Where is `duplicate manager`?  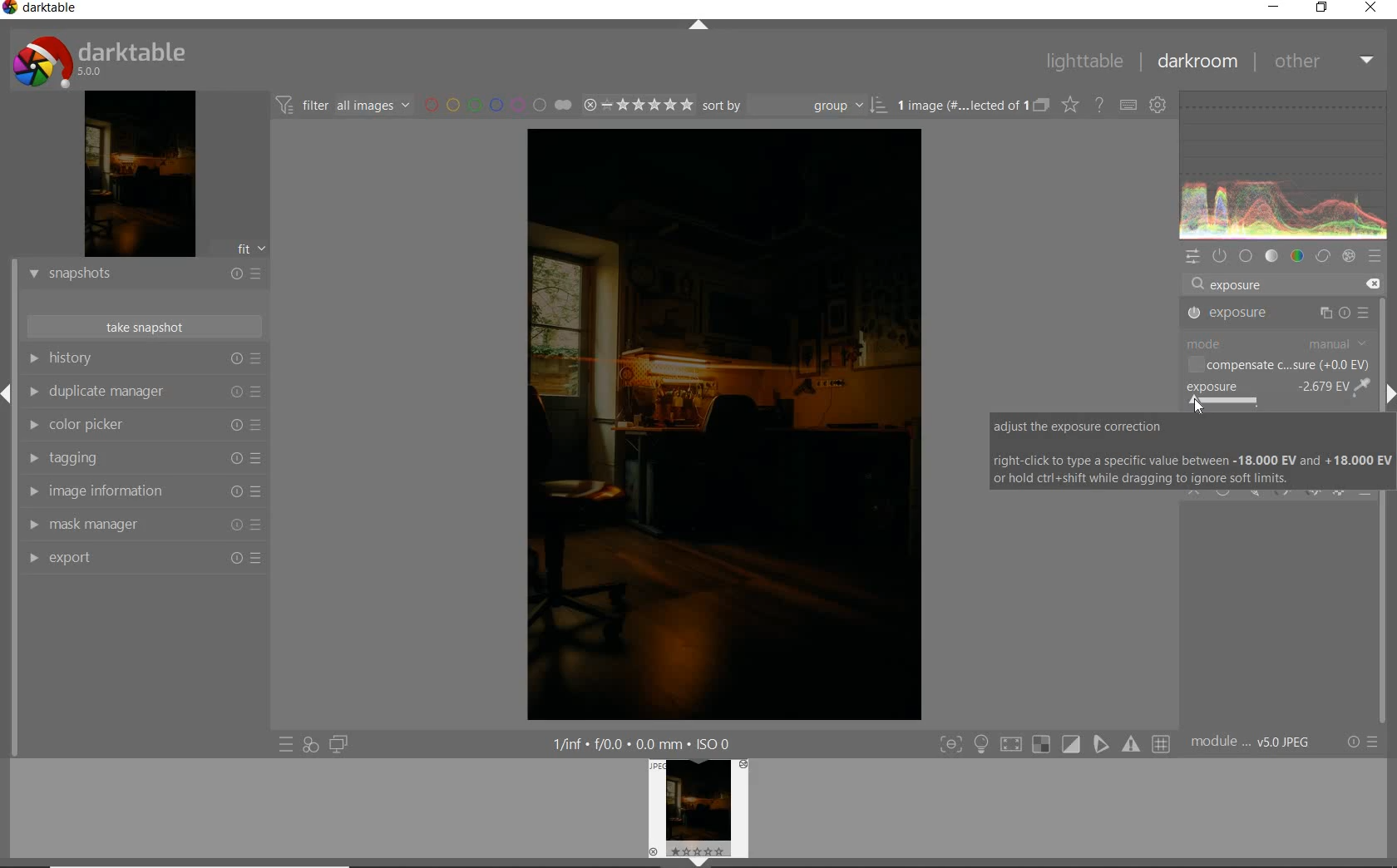
duplicate manager is located at coordinates (141, 392).